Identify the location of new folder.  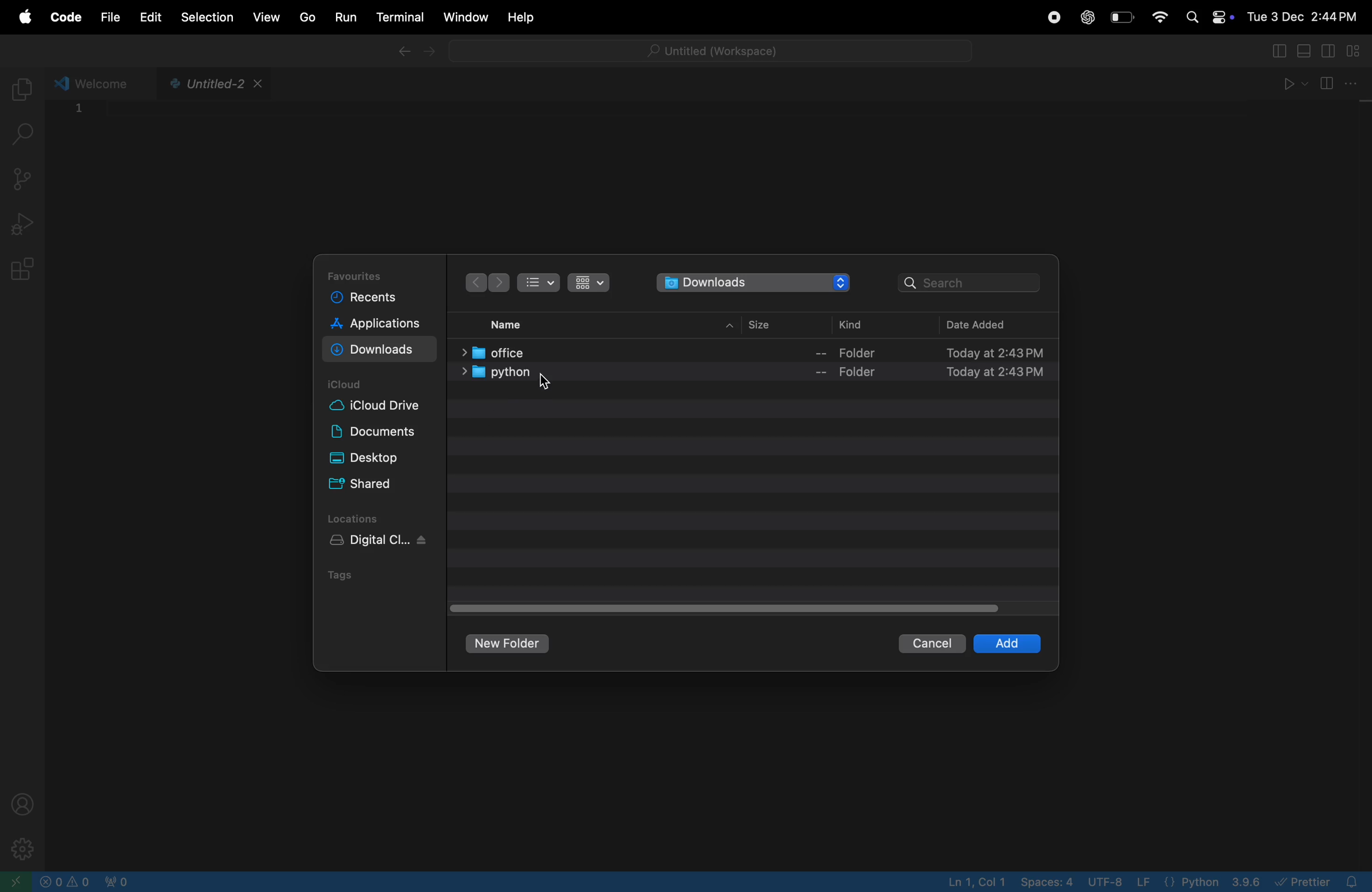
(508, 643).